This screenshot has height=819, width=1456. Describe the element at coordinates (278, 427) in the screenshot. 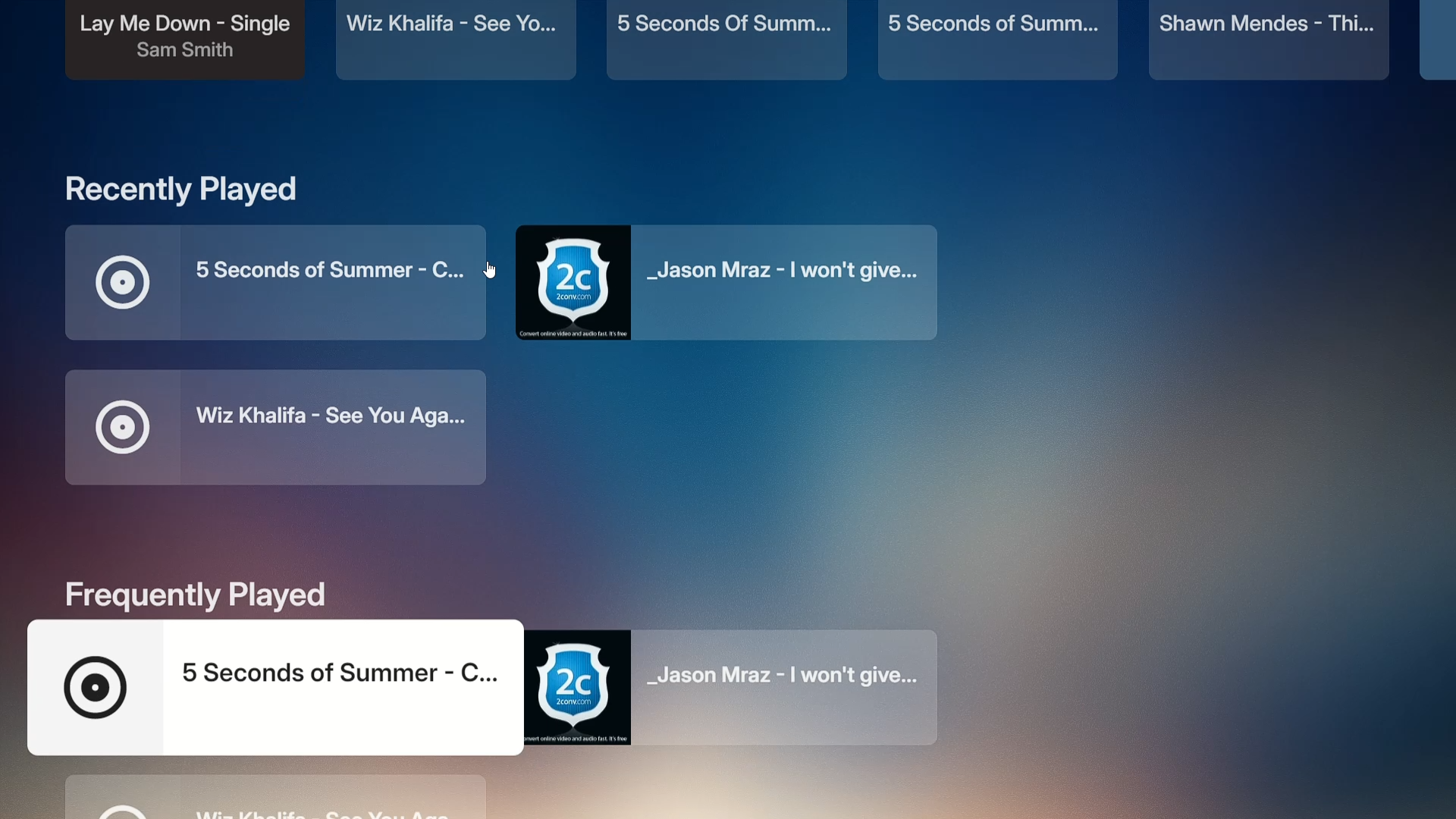

I see `Wiz Khalifa` at that location.